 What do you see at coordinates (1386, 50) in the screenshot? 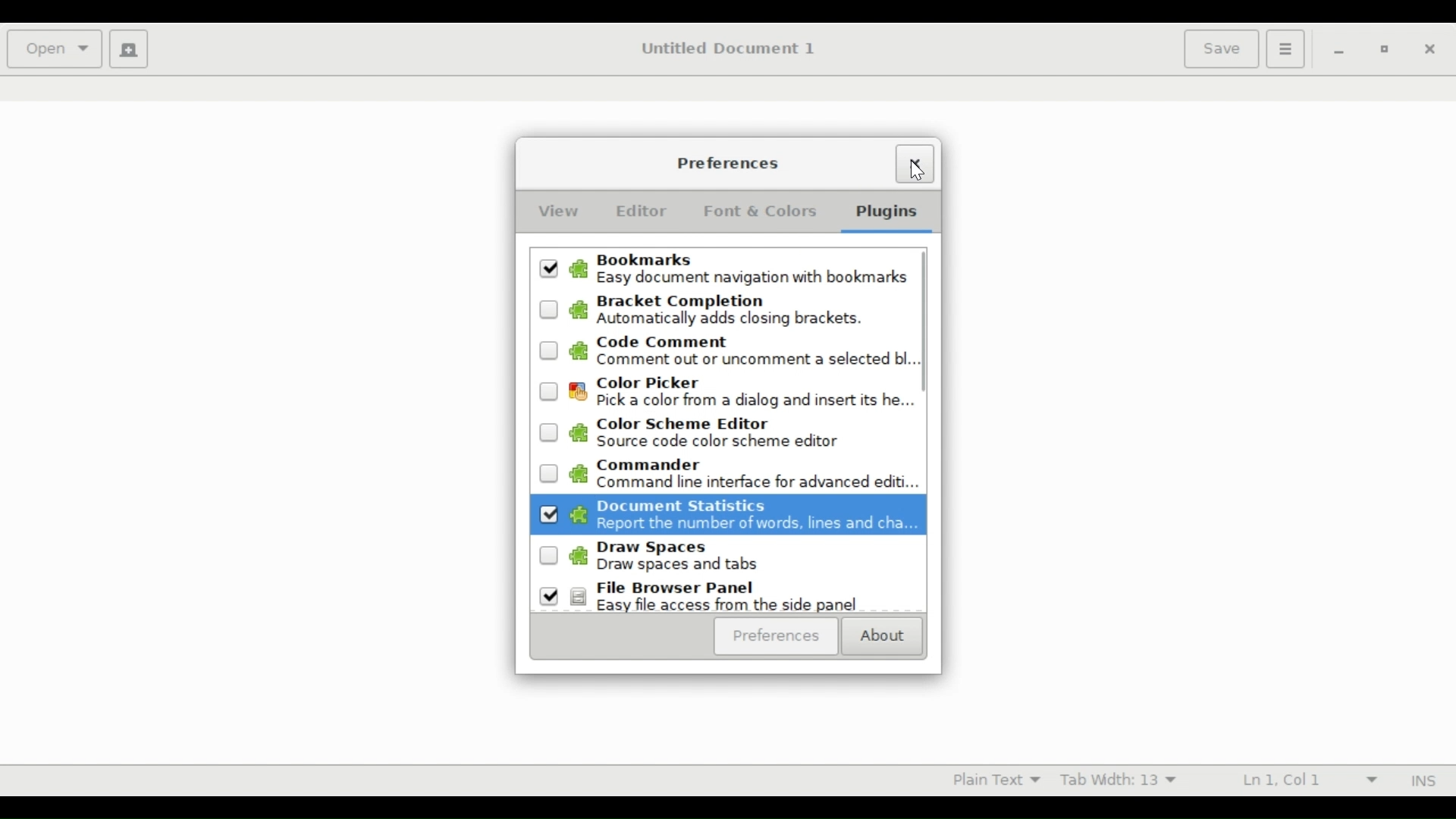
I see `Restore` at bounding box center [1386, 50].